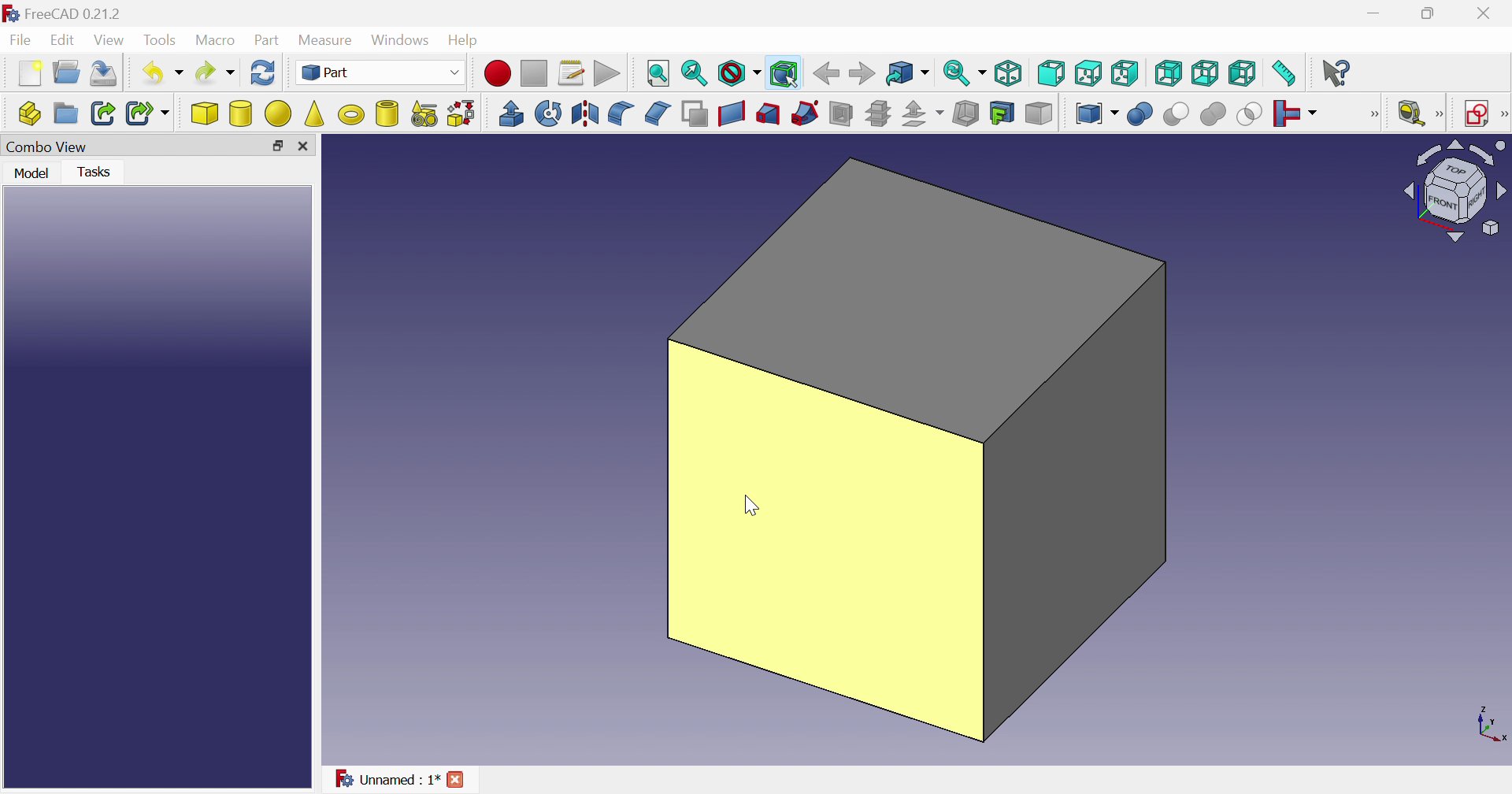 Image resolution: width=1512 pixels, height=794 pixels. I want to click on Part, so click(383, 74).